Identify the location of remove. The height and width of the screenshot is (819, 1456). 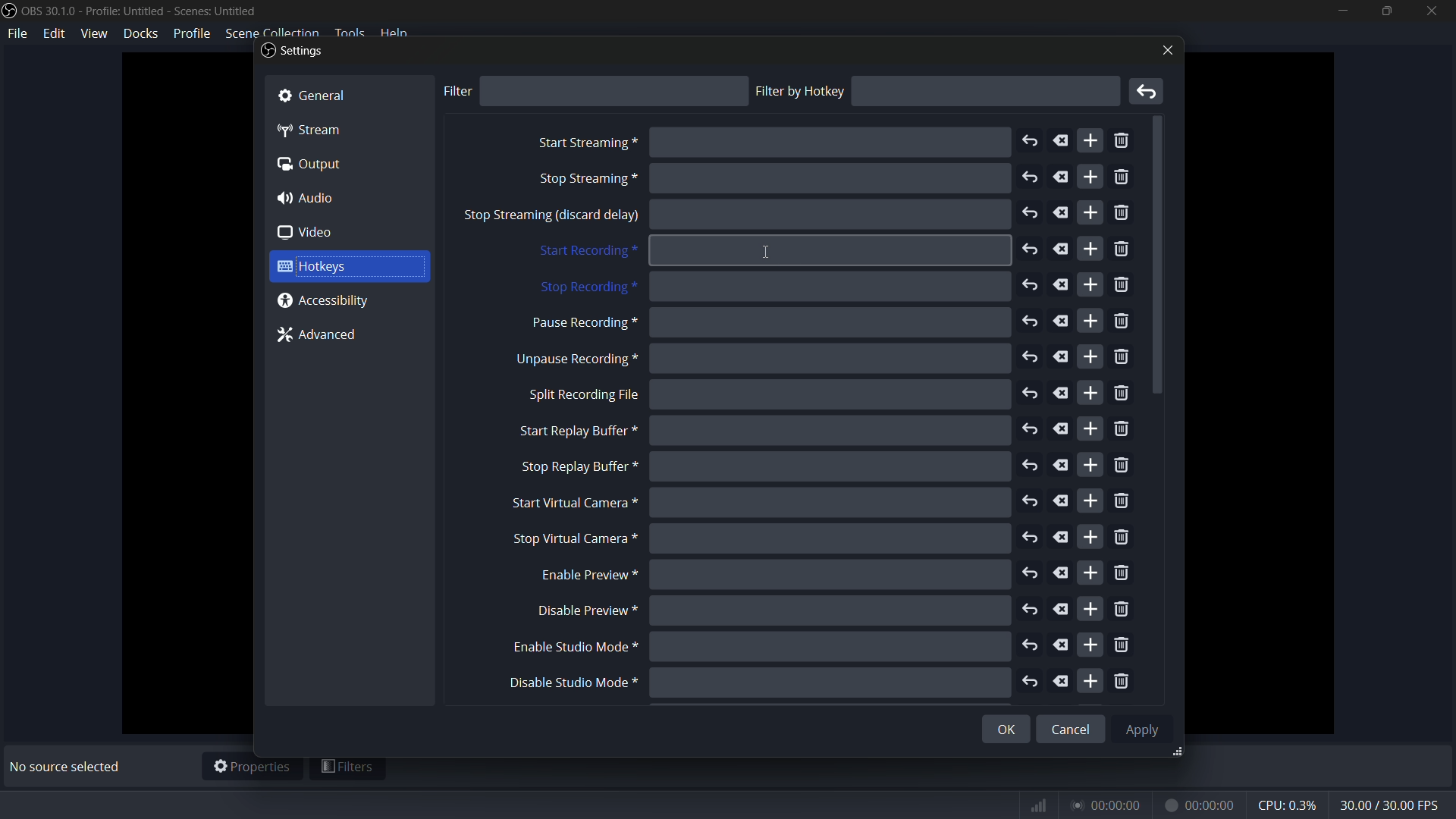
(1123, 502).